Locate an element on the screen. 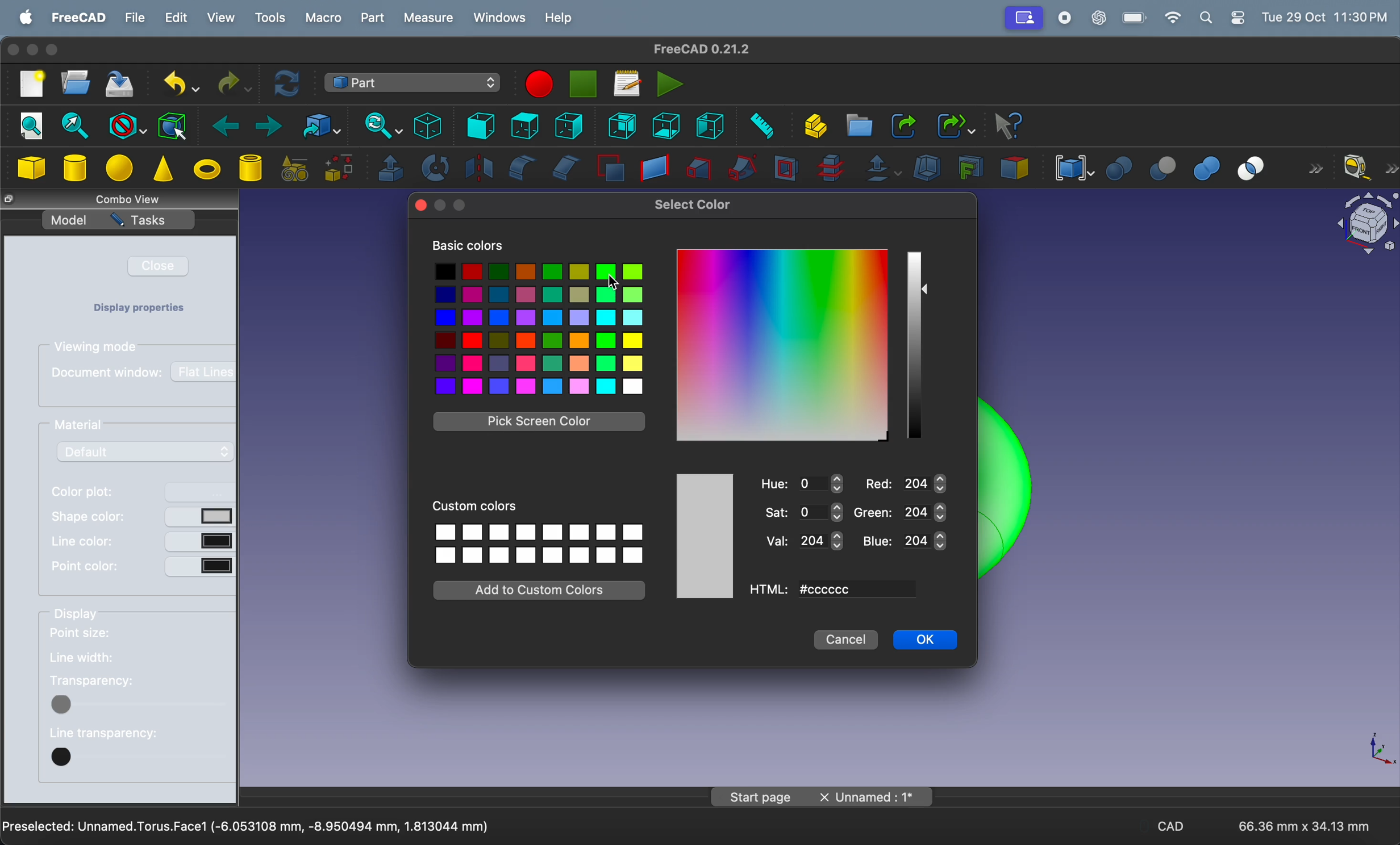 The width and height of the screenshot is (1400, 845). model is located at coordinates (69, 219).